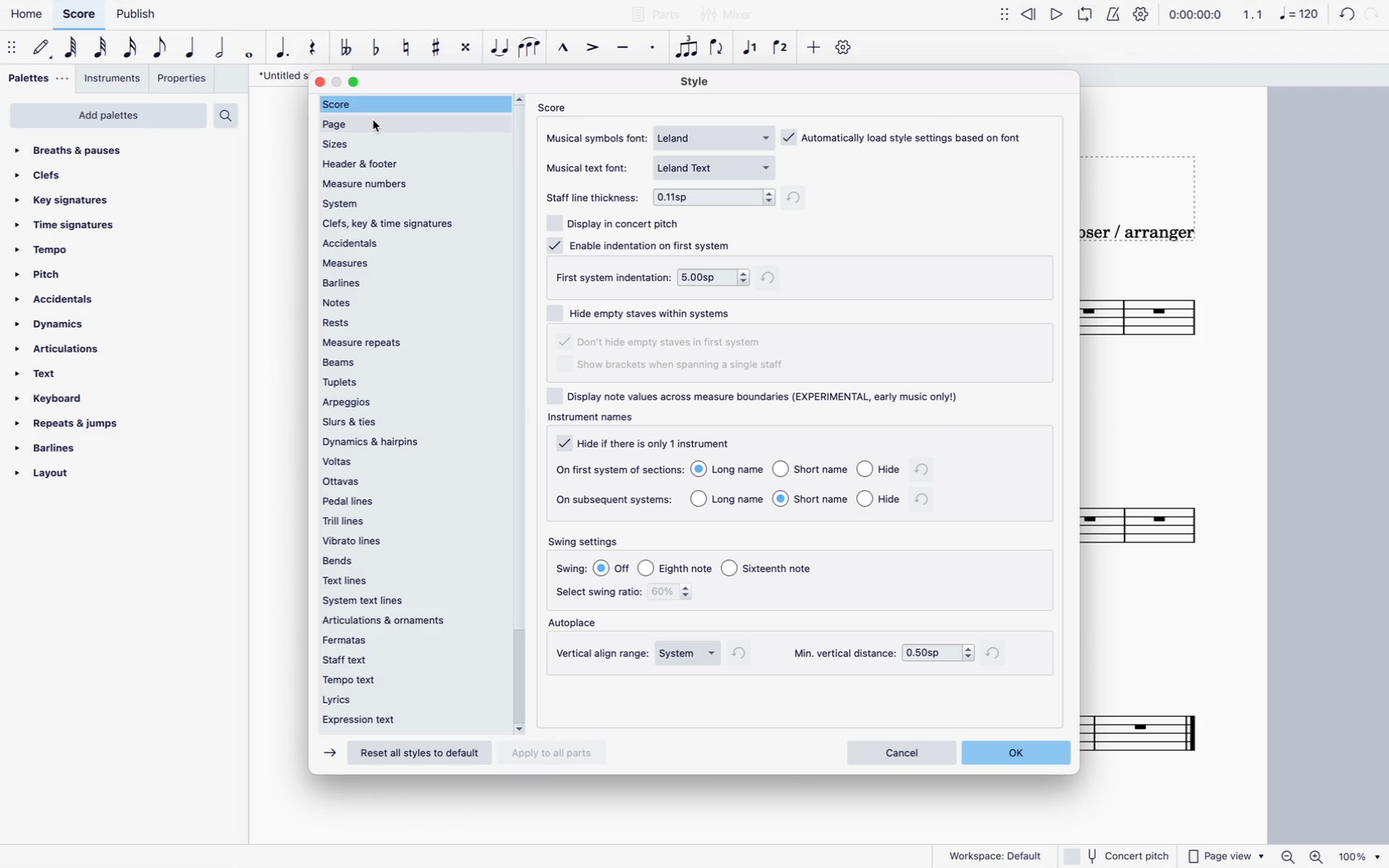 The height and width of the screenshot is (868, 1389). What do you see at coordinates (592, 49) in the screenshot?
I see `accent` at bounding box center [592, 49].